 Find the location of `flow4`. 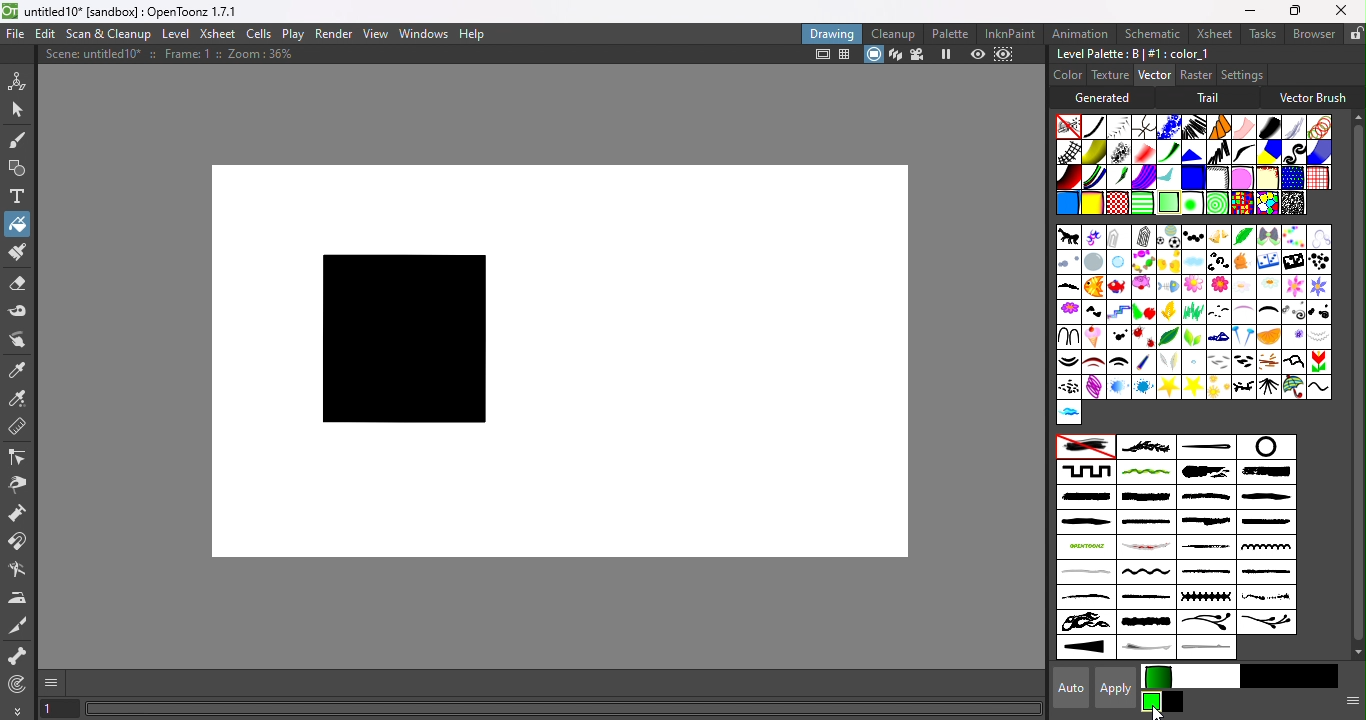

flow4 is located at coordinates (1292, 287).